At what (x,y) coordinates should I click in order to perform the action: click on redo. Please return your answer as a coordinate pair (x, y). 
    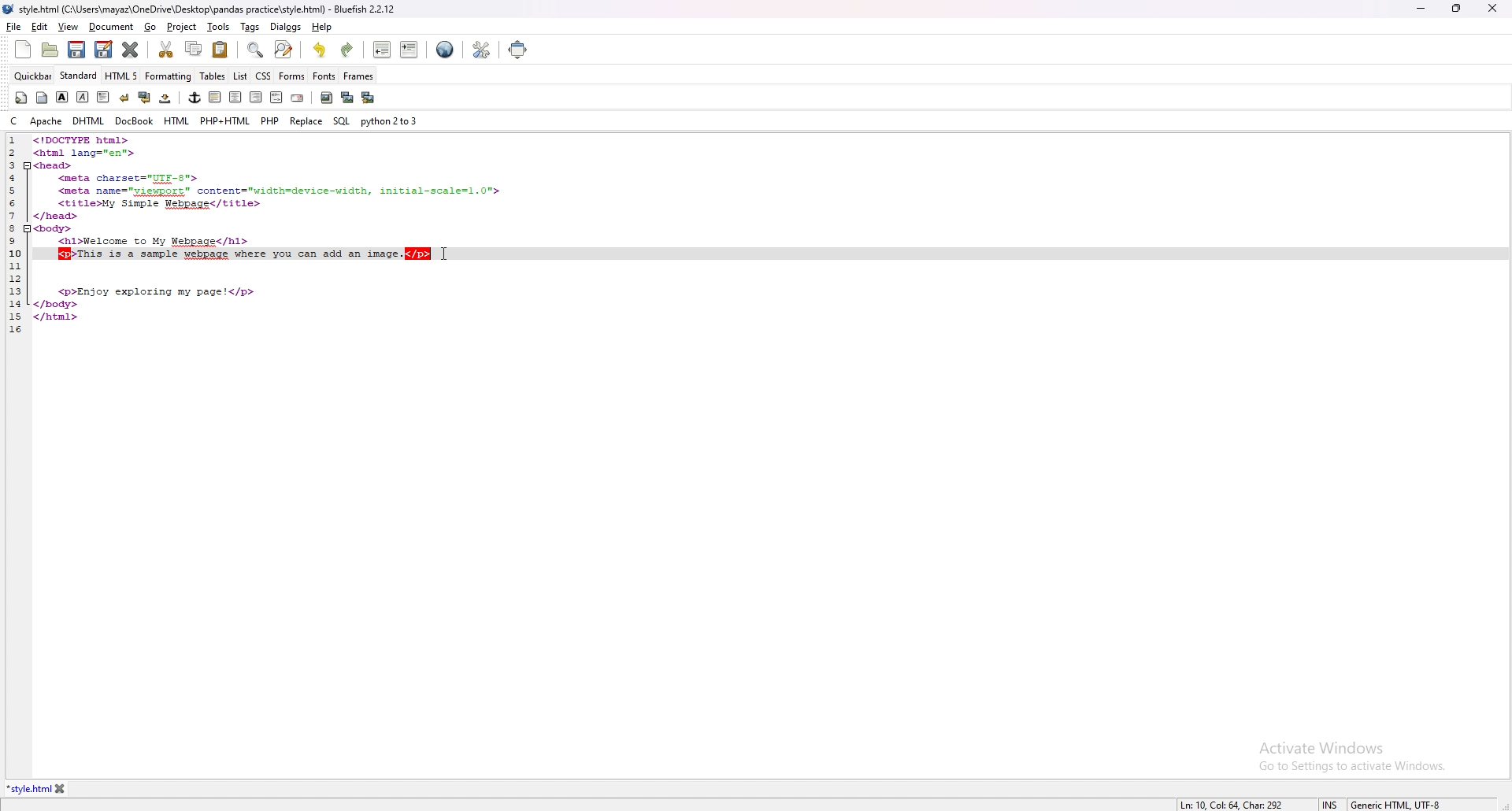
    Looking at the image, I should click on (348, 51).